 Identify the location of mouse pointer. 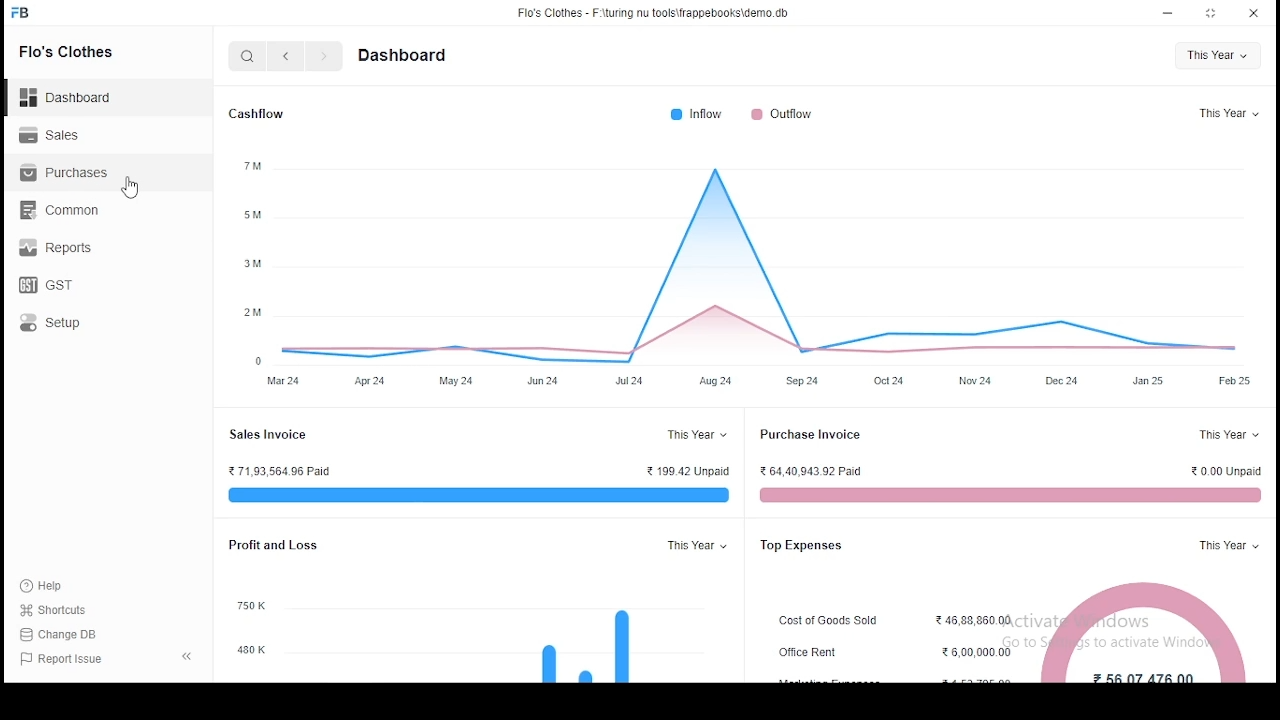
(134, 188).